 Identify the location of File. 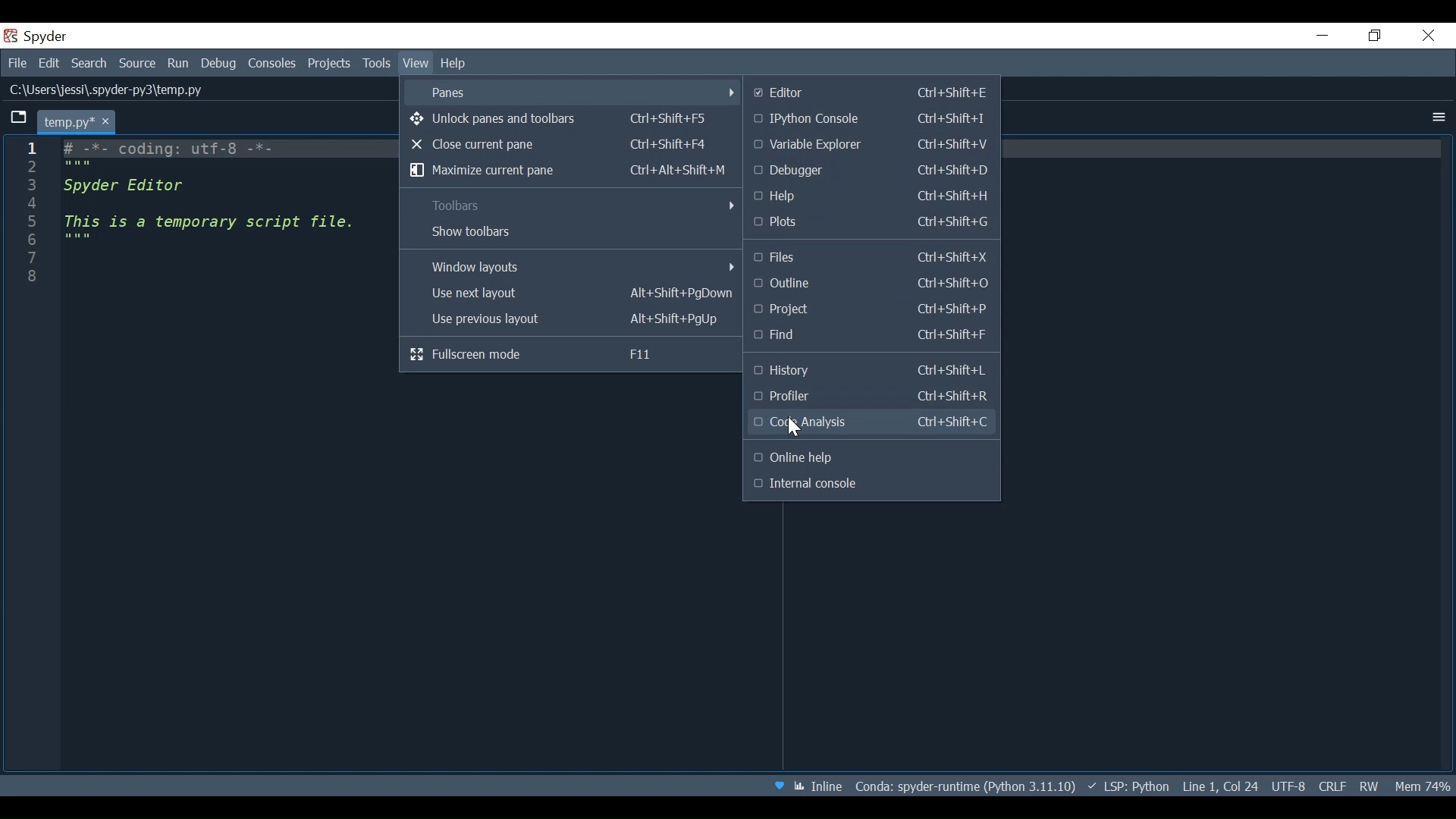
(15, 62).